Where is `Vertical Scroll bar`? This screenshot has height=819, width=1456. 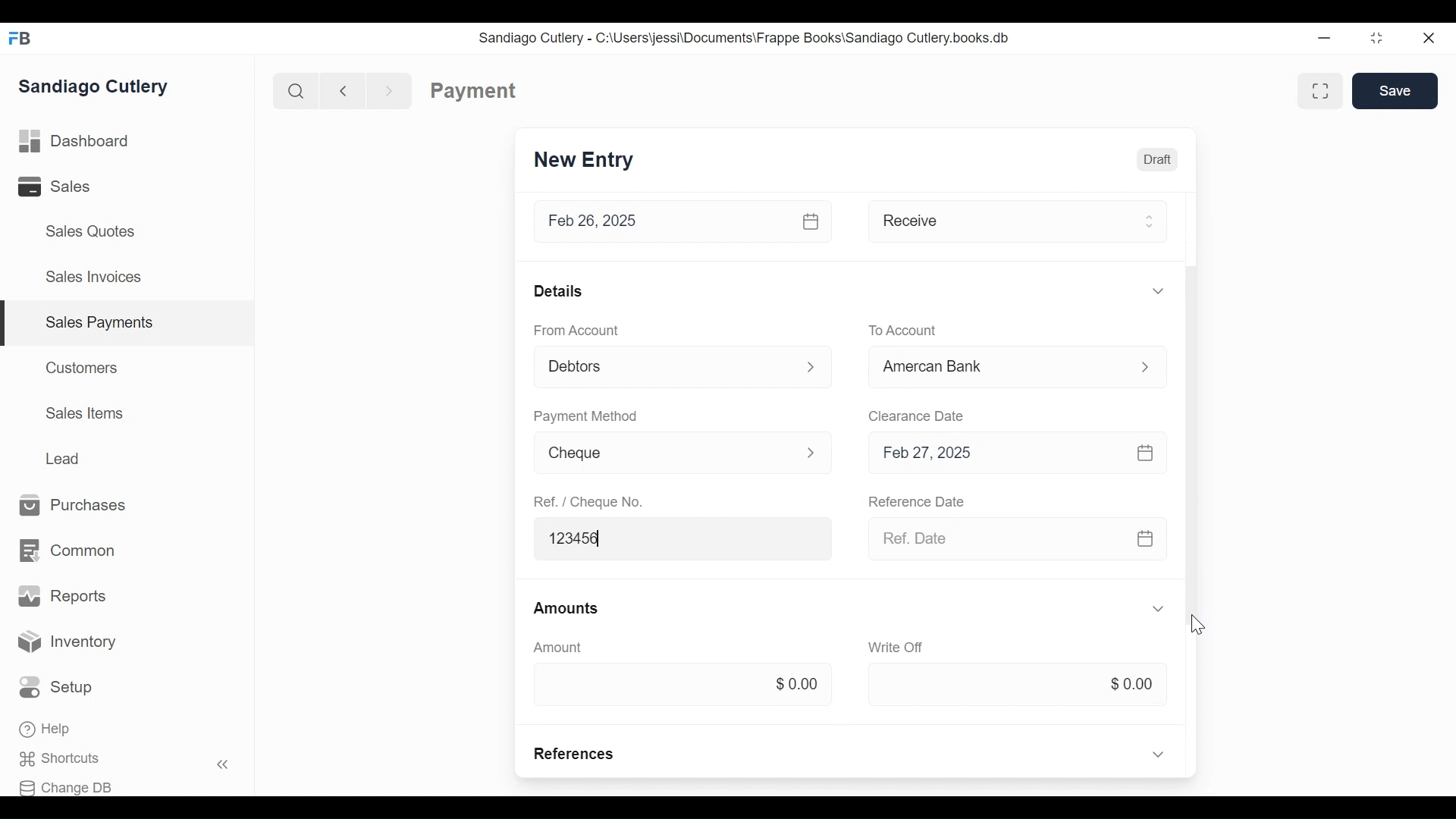
Vertical Scroll bar is located at coordinates (1189, 374).